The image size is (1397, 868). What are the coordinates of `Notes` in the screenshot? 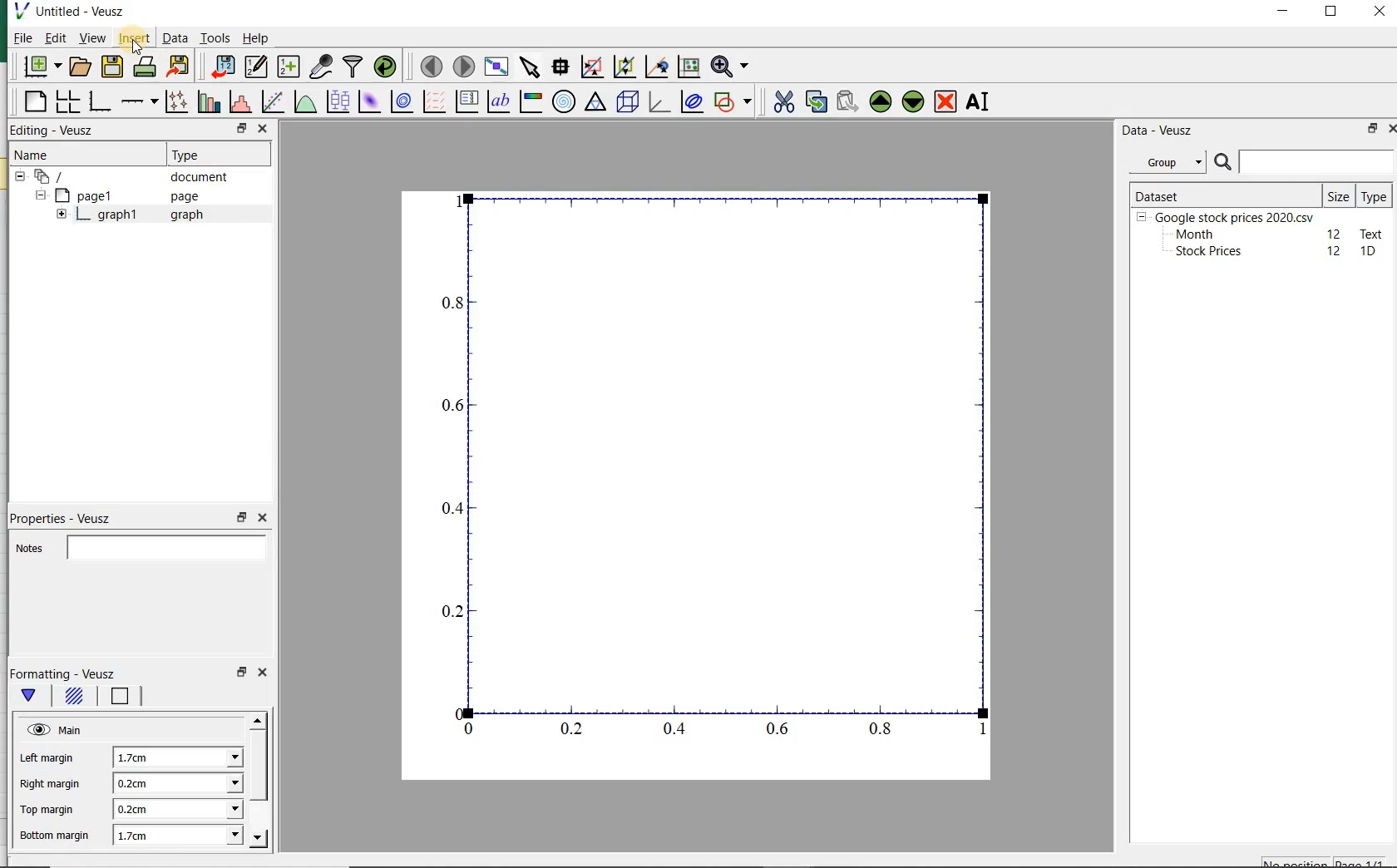 It's located at (143, 547).